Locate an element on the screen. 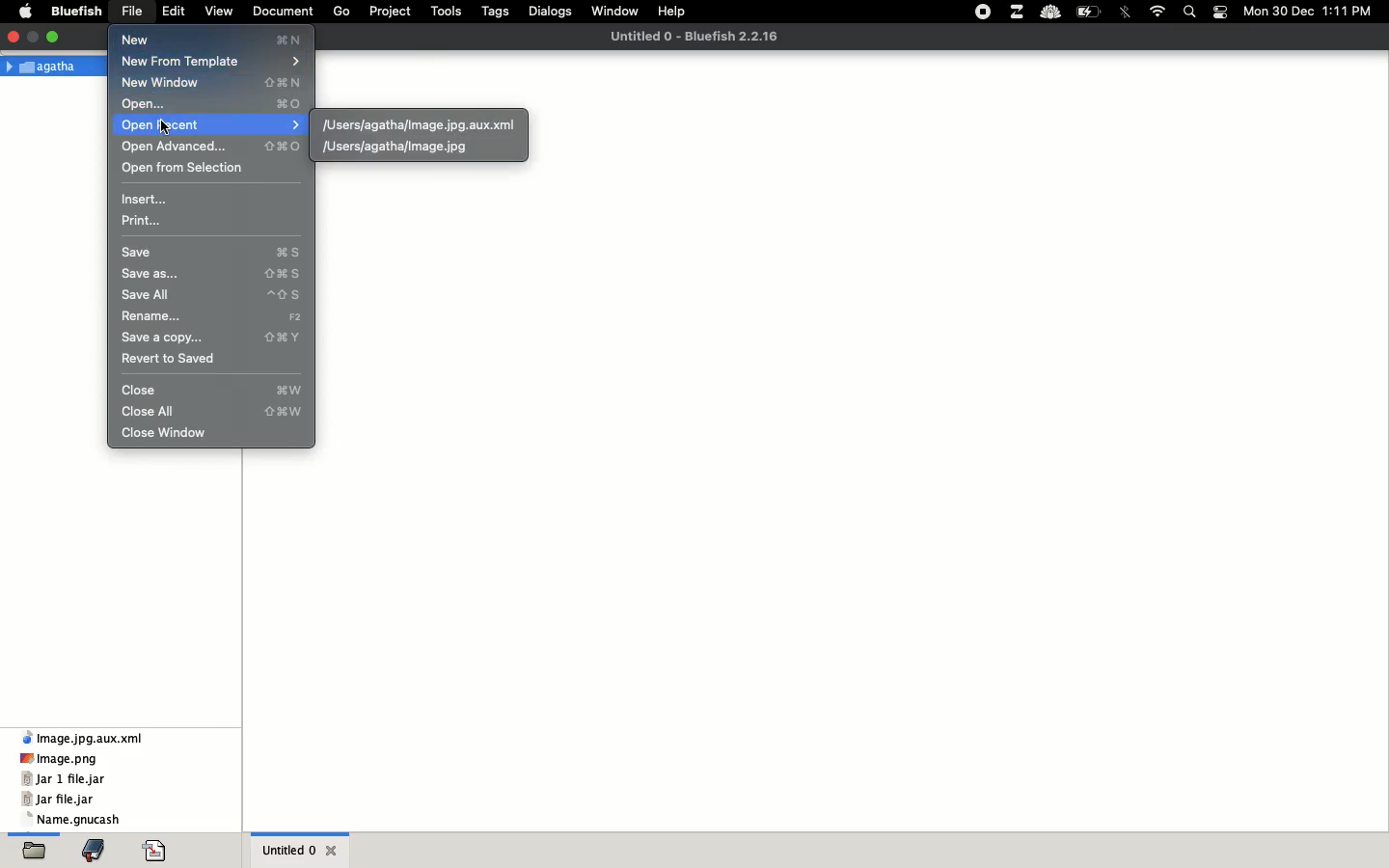 The width and height of the screenshot is (1389, 868). save as...   command S is located at coordinates (209, 276).